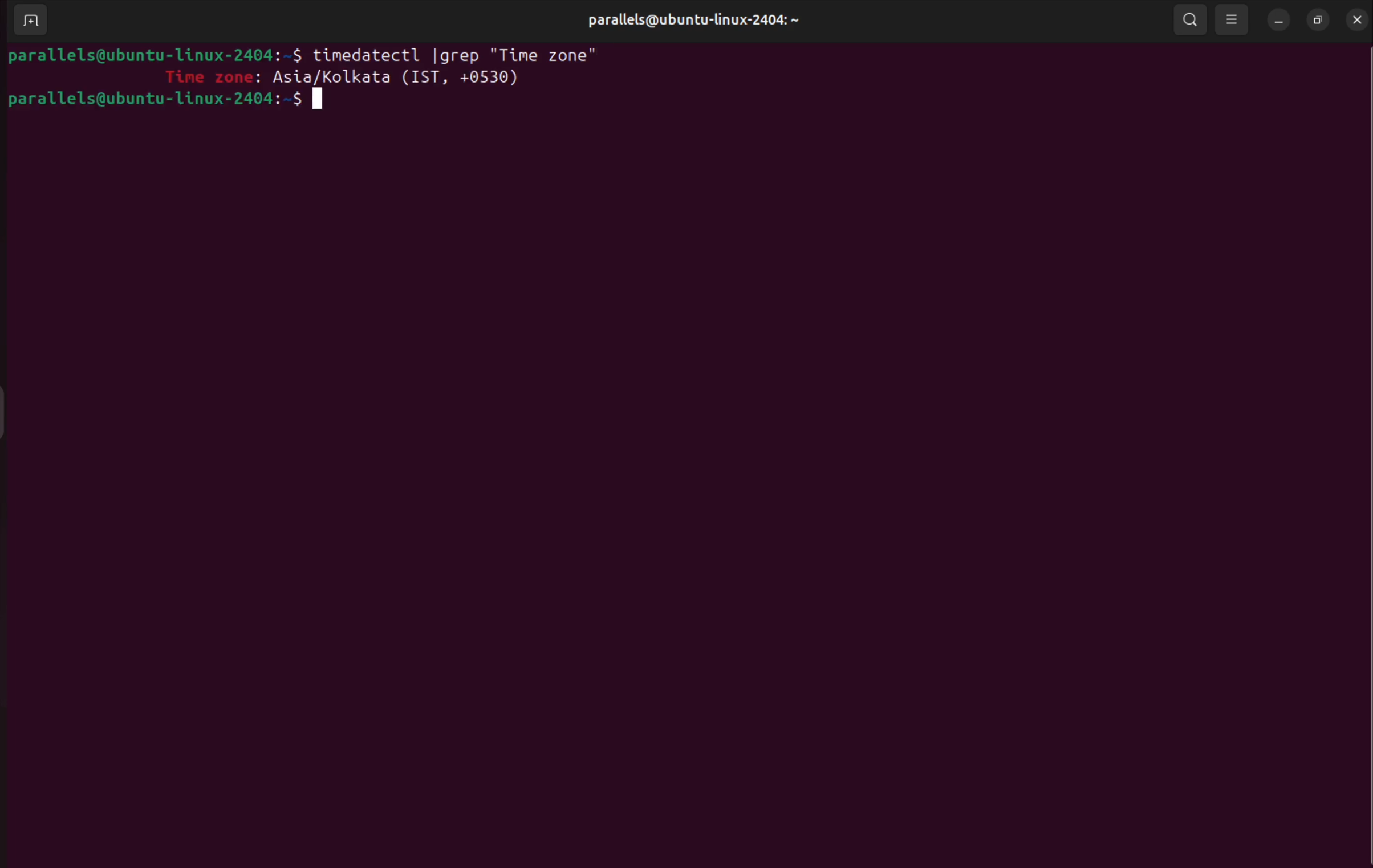  I want to click on add terminal, so click(30, 19).